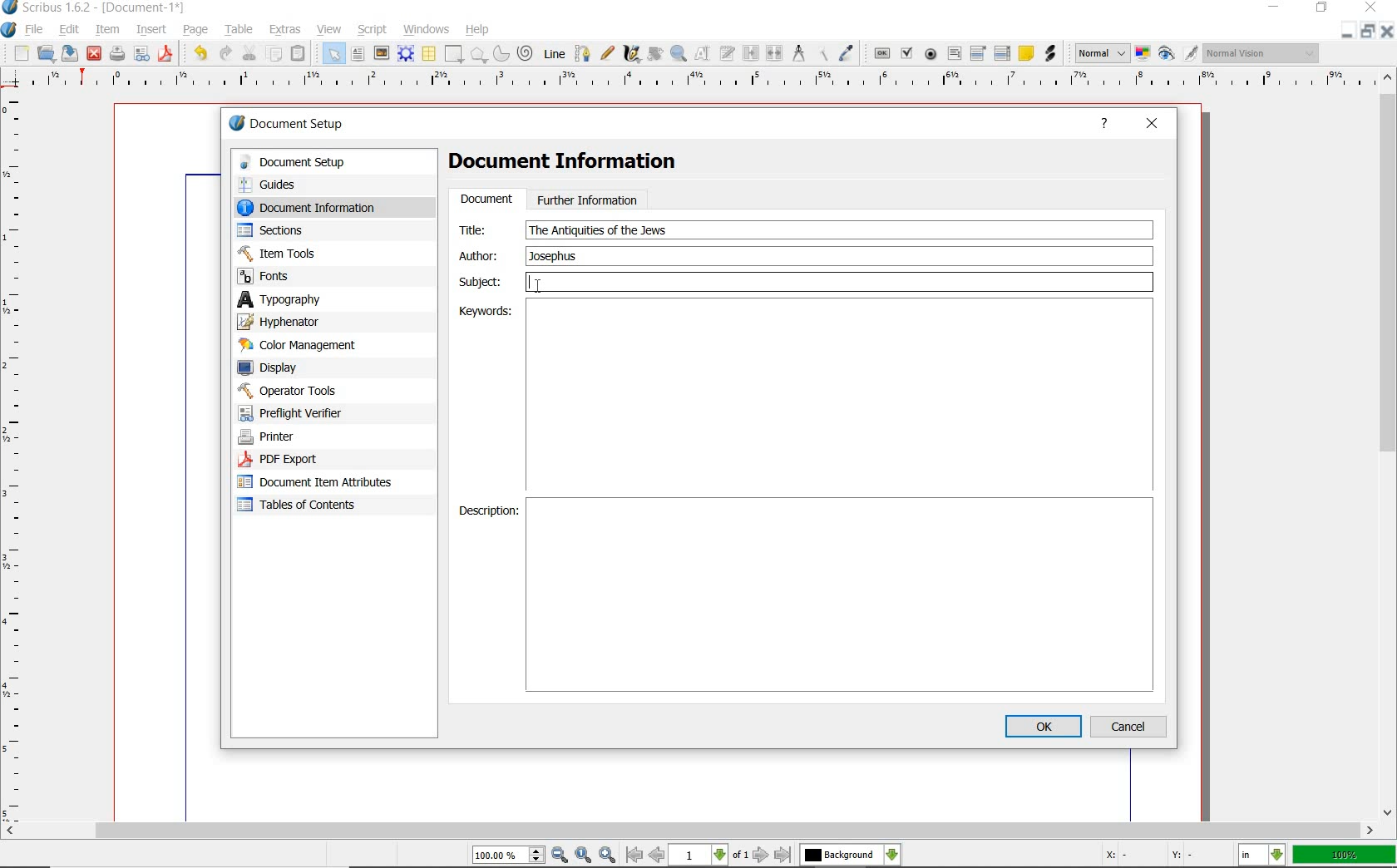 Image resolution: width=1397 pixels, height=868 pixels. I want to click on select, so click(335, 53).